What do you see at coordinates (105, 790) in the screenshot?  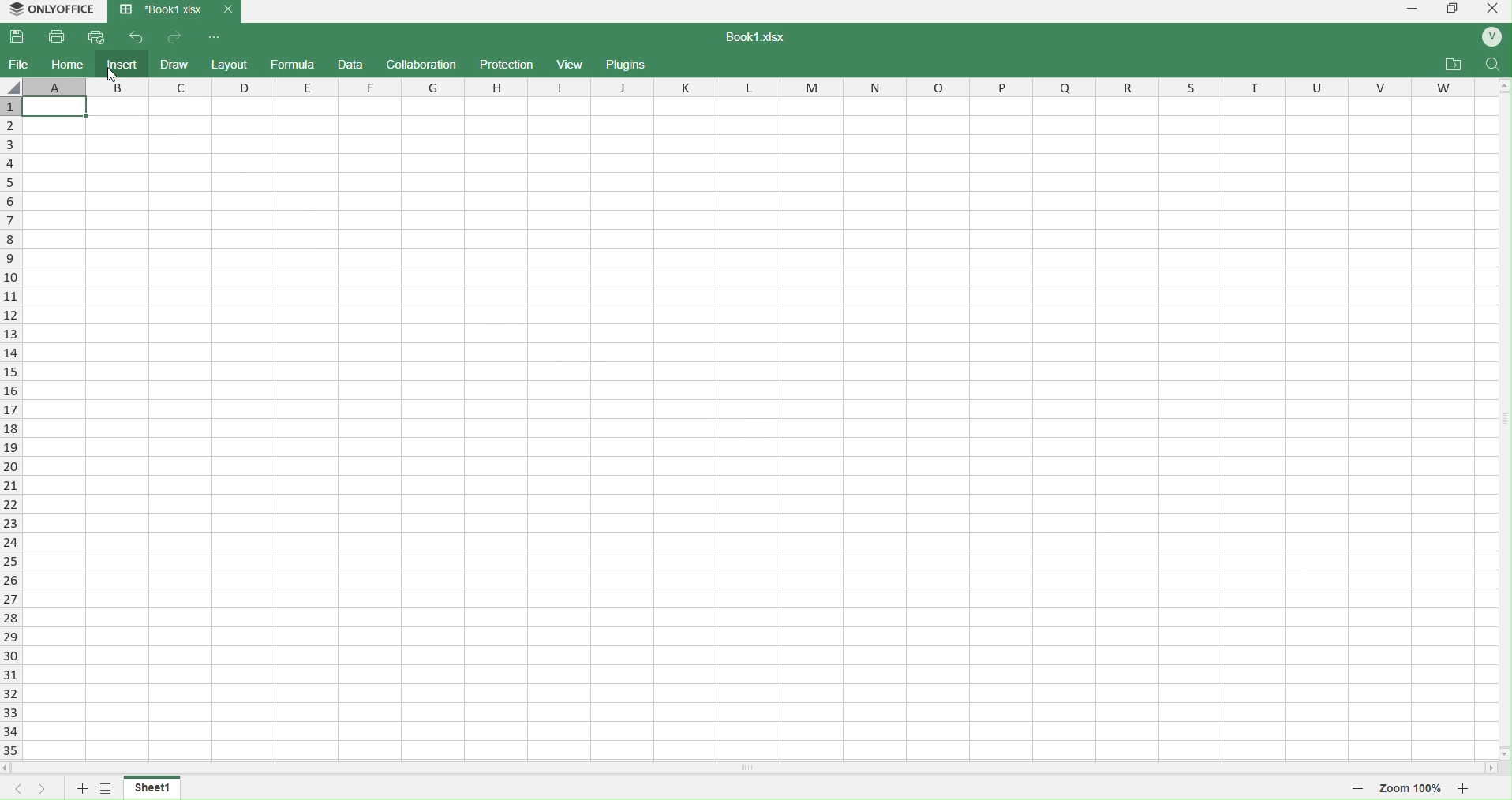 I see `options` at bounding box center [105, 790].